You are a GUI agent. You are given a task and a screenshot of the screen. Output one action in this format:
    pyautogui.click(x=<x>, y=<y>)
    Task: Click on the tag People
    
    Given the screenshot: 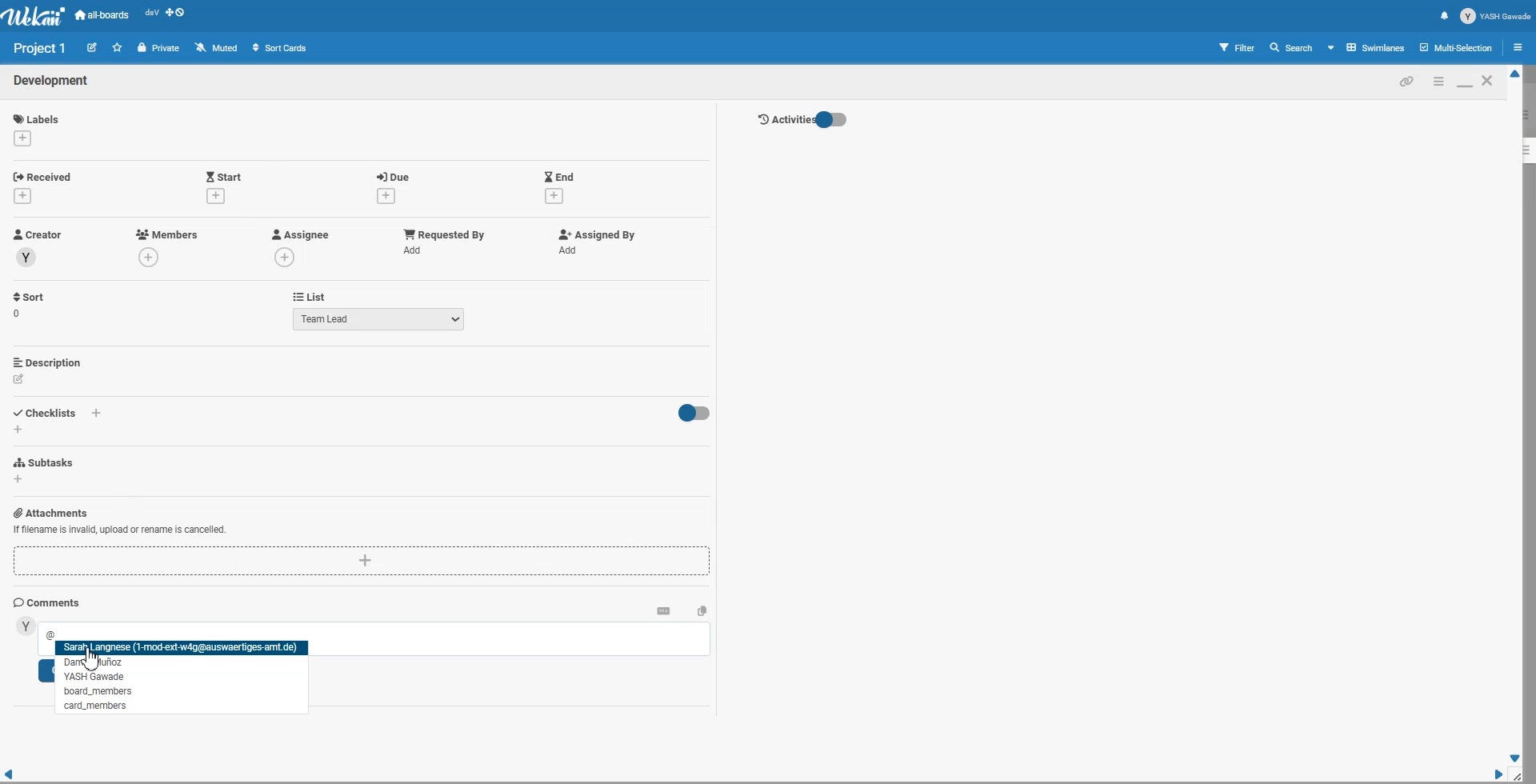 What is the action you would take?
    pyautogui.click(x=181, y=648)
    